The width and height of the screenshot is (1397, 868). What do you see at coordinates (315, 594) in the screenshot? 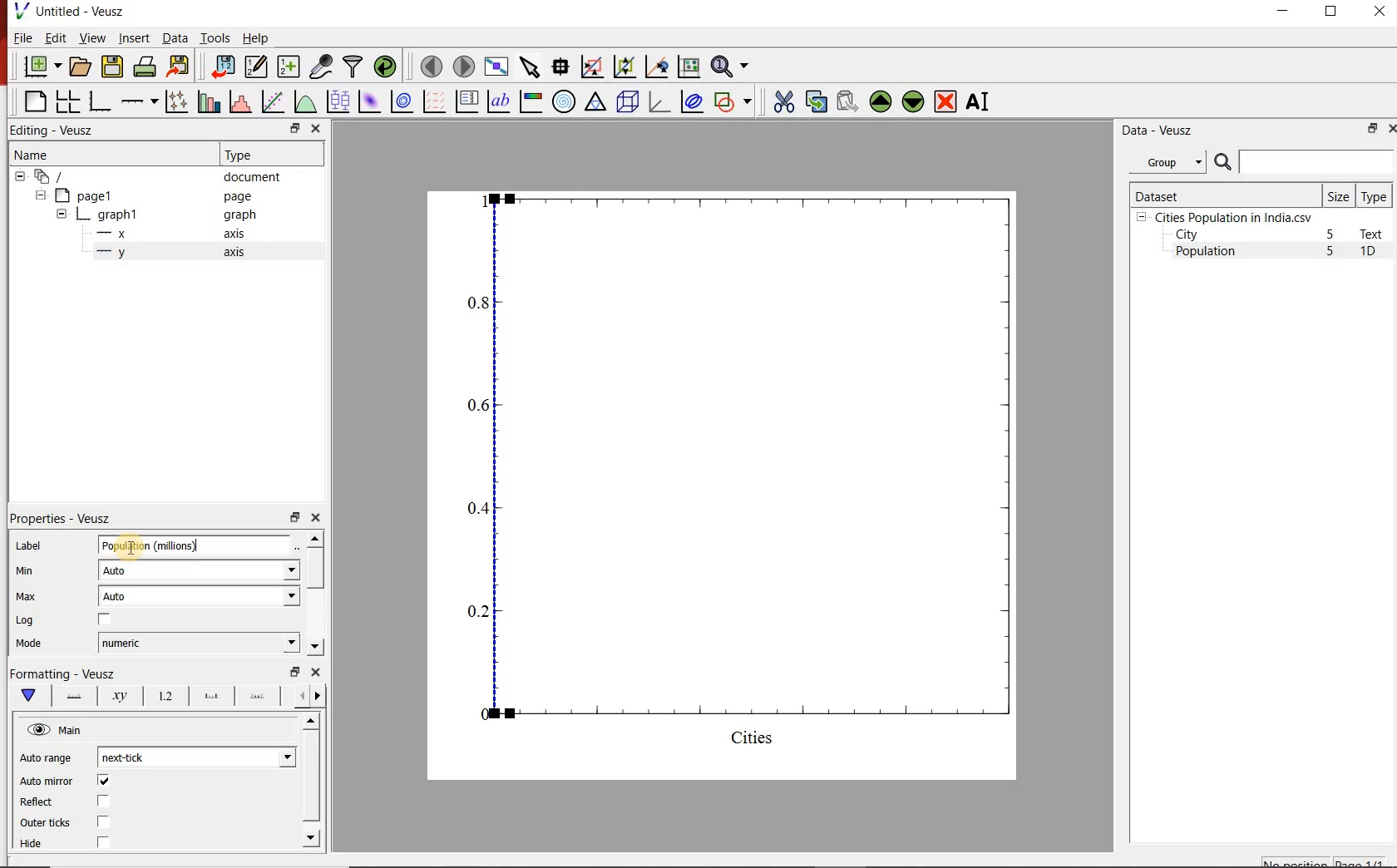
I see `scrollbar` at bounding box center [315, 594].